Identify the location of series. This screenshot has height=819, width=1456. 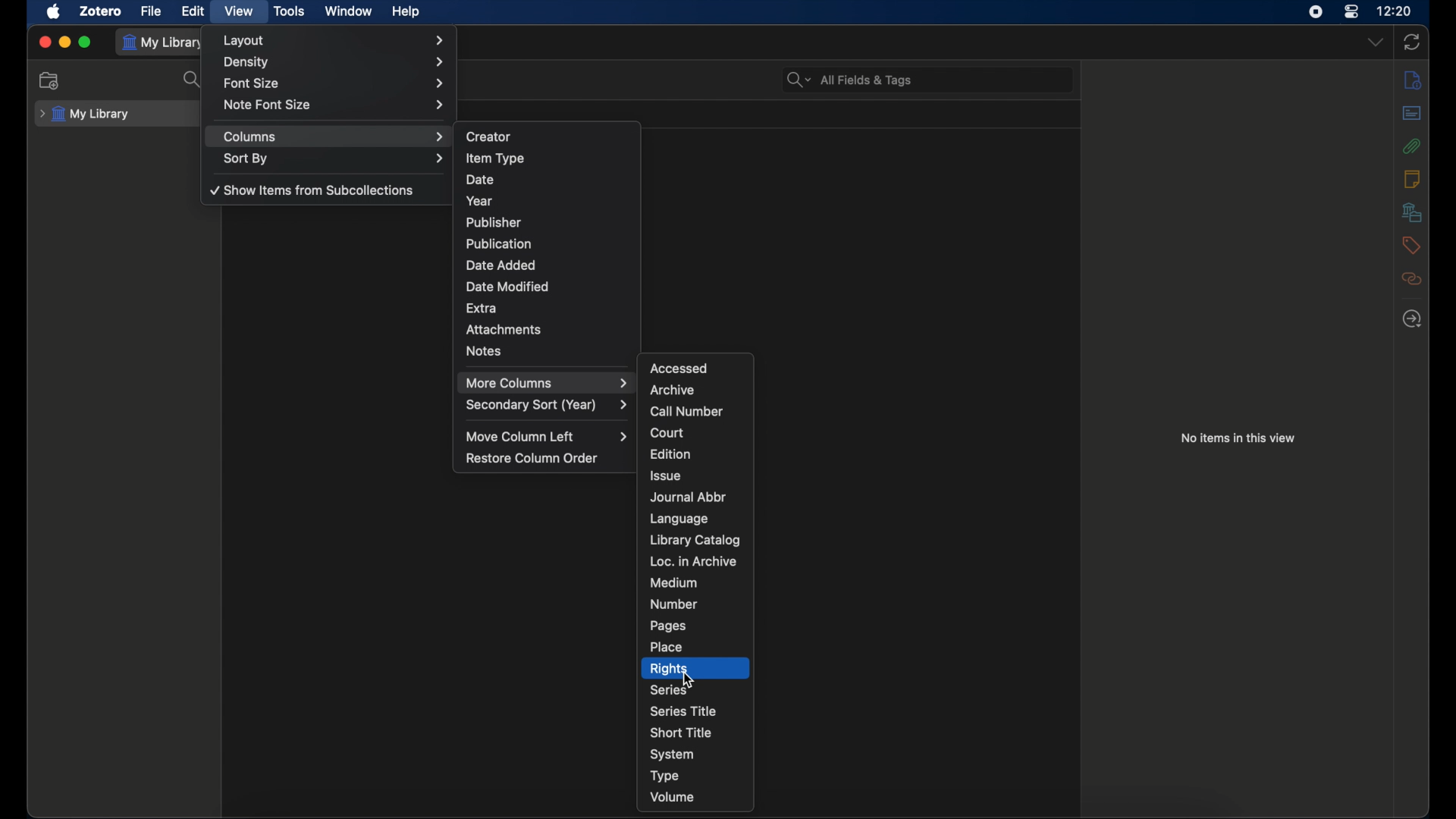
(668, 690).